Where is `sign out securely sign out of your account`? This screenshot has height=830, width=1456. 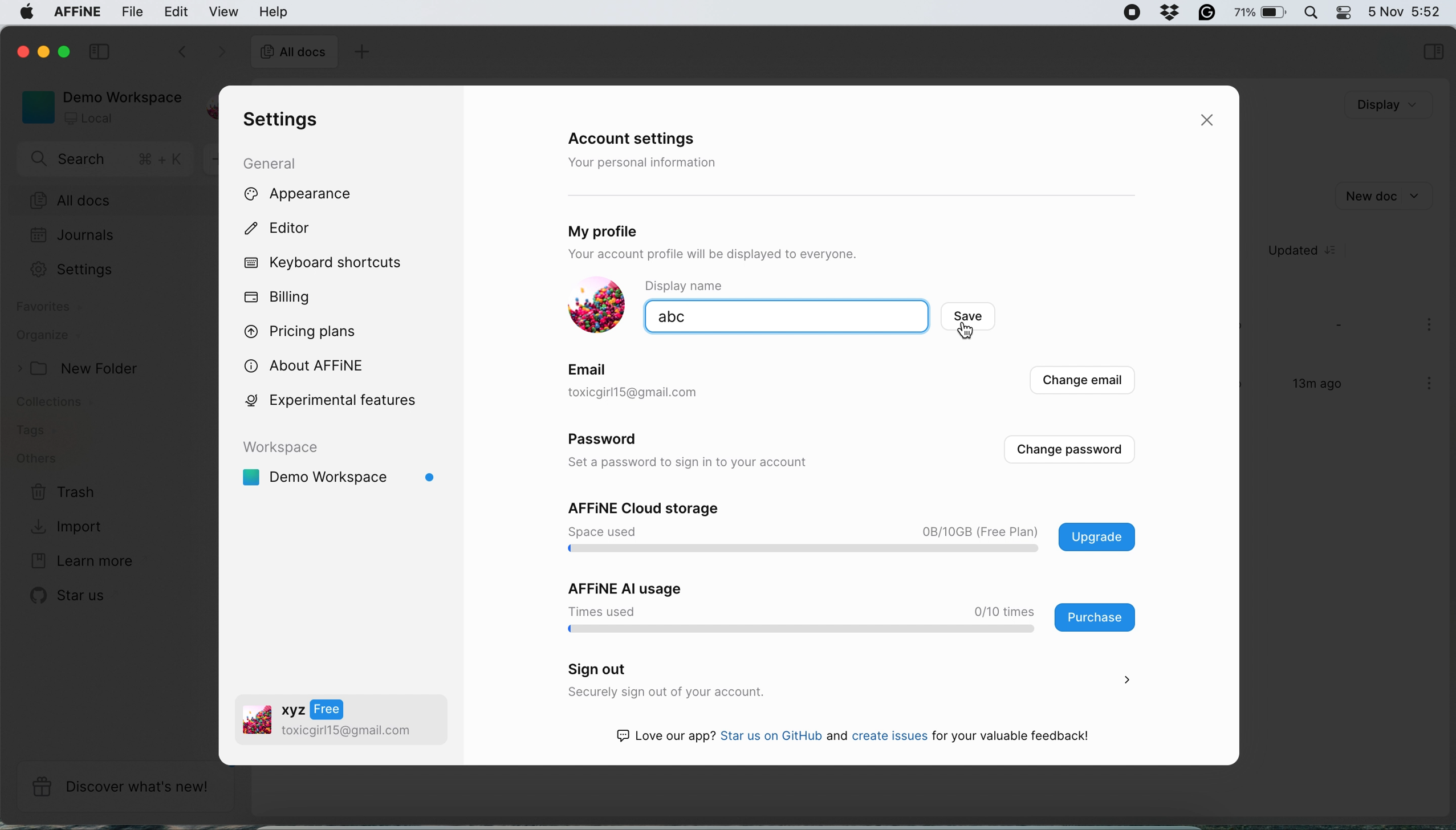
sign out securely sign out of your account is located at coordinates (845, 681).